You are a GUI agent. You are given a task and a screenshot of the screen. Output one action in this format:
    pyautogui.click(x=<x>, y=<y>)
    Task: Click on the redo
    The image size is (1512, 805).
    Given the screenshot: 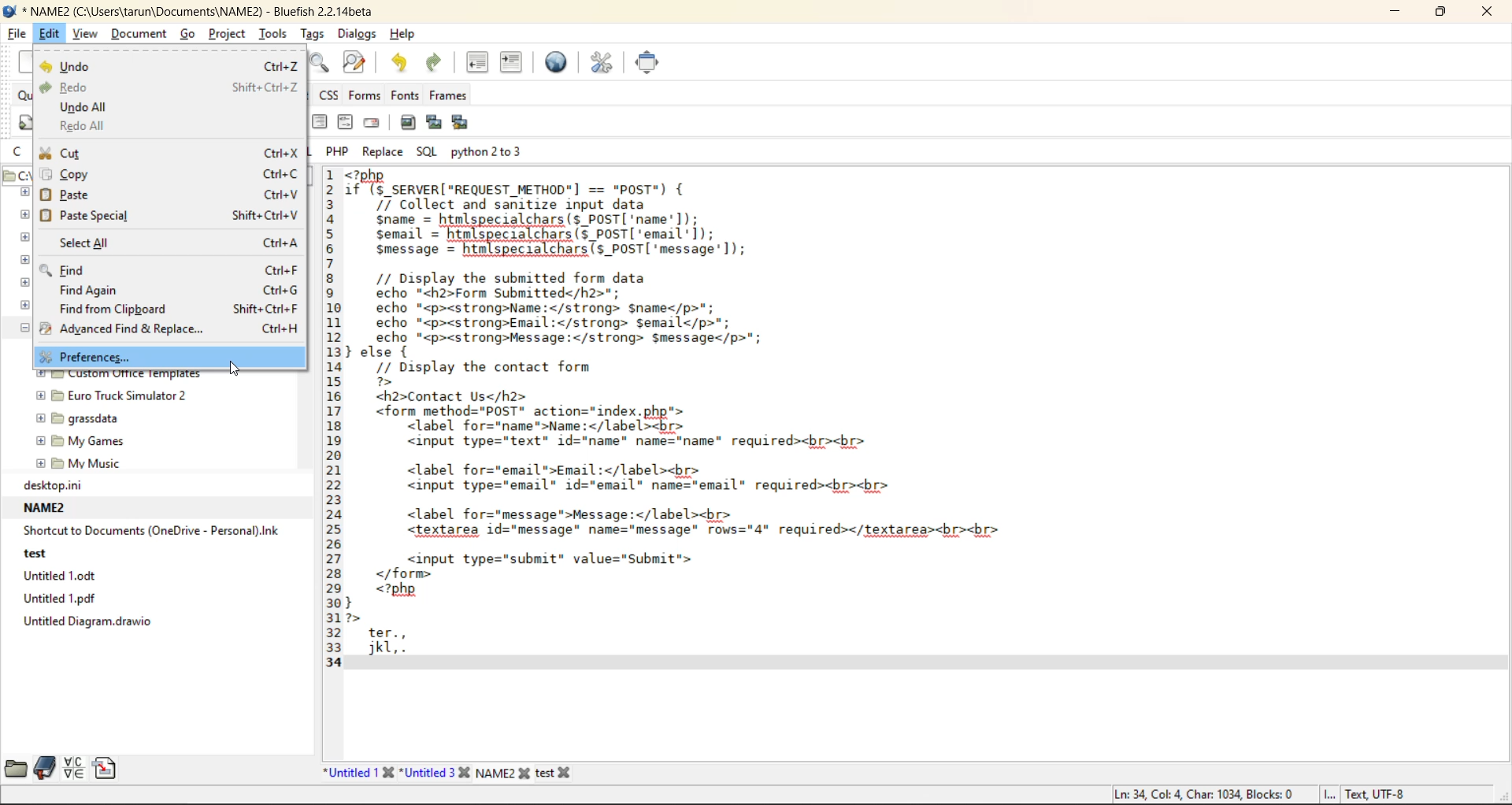 What is the action you would take?
    pyautogui.click(x=442, y=63)
    